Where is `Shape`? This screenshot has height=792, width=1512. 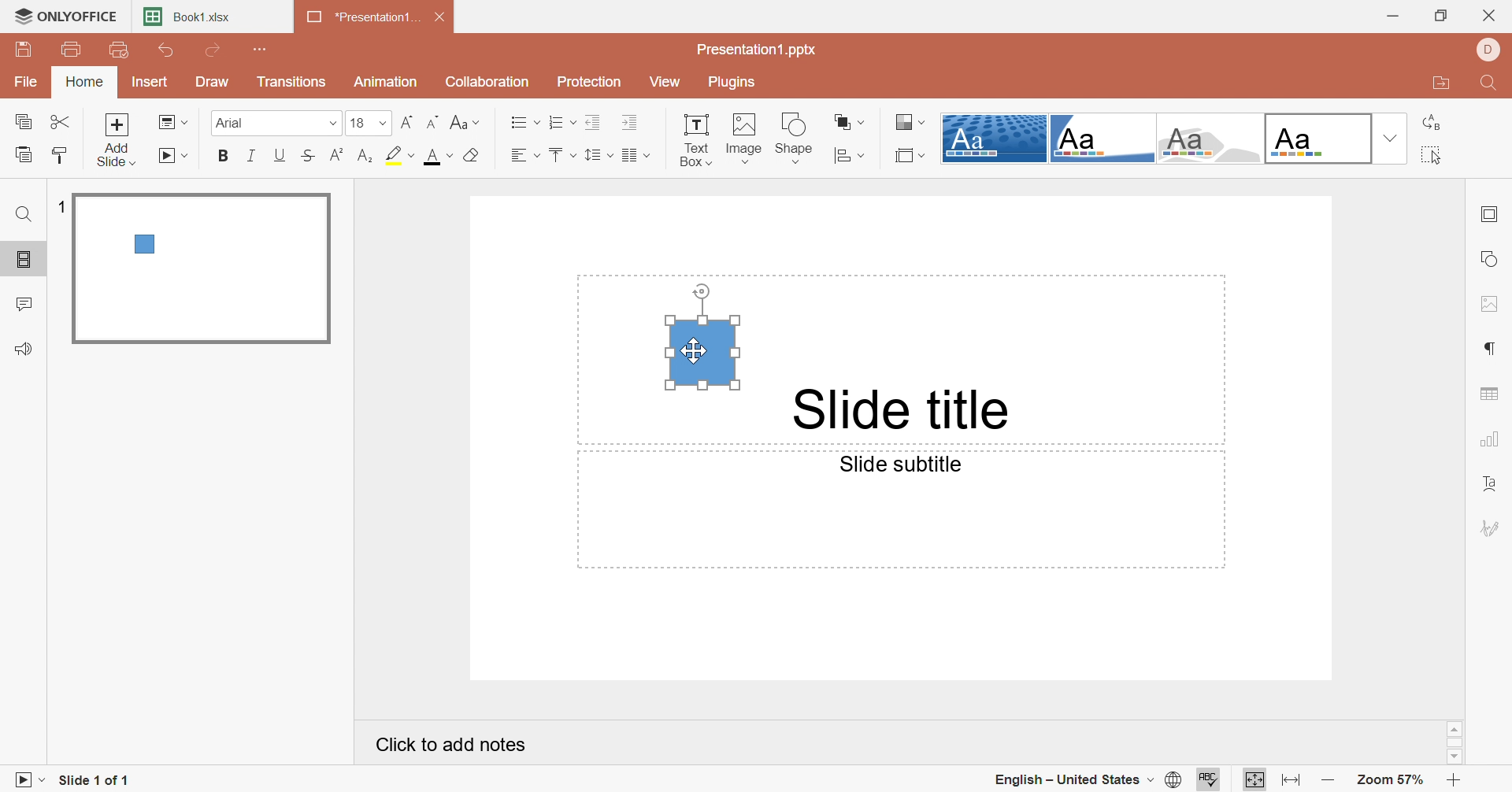
Shape is located at coordinates (797, 136).